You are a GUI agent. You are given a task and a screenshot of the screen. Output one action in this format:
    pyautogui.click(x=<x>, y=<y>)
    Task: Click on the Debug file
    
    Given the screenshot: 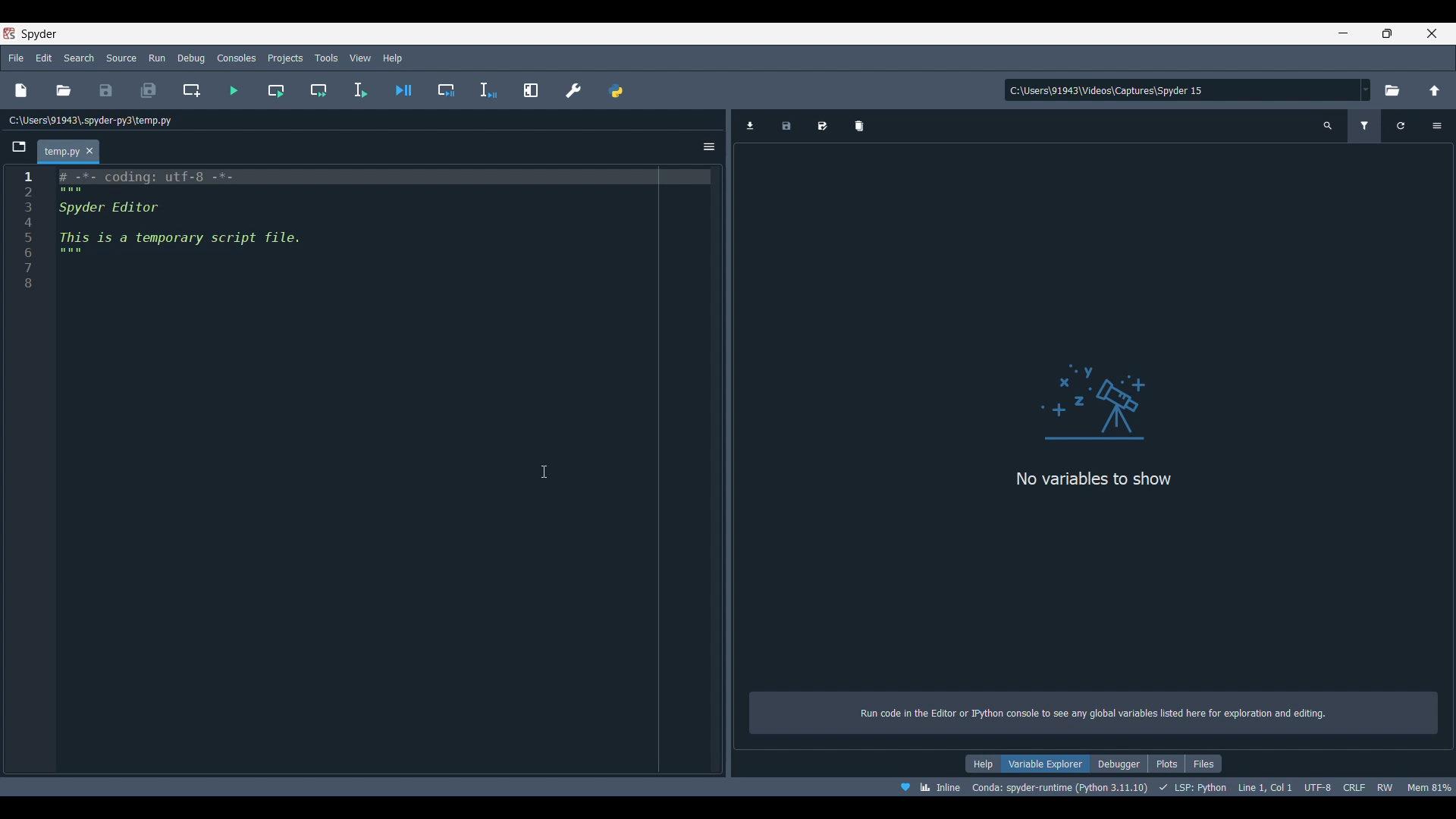 What is the action you would take?
    pyautogui.click(x=403, y=90)
    